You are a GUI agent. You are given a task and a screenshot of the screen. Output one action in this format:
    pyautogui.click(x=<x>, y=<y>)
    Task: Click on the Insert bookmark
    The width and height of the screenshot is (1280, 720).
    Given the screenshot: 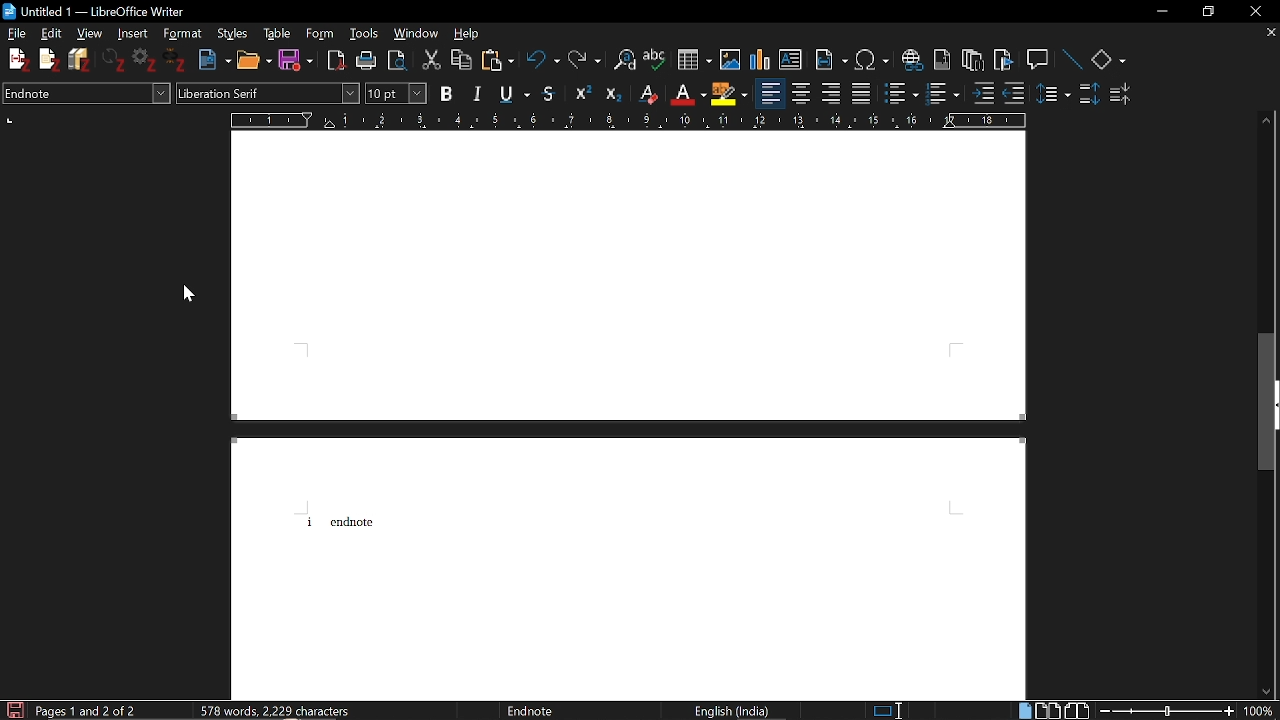 What is the action you would take?
    pyautogui.click(x=1005, y=64)
    